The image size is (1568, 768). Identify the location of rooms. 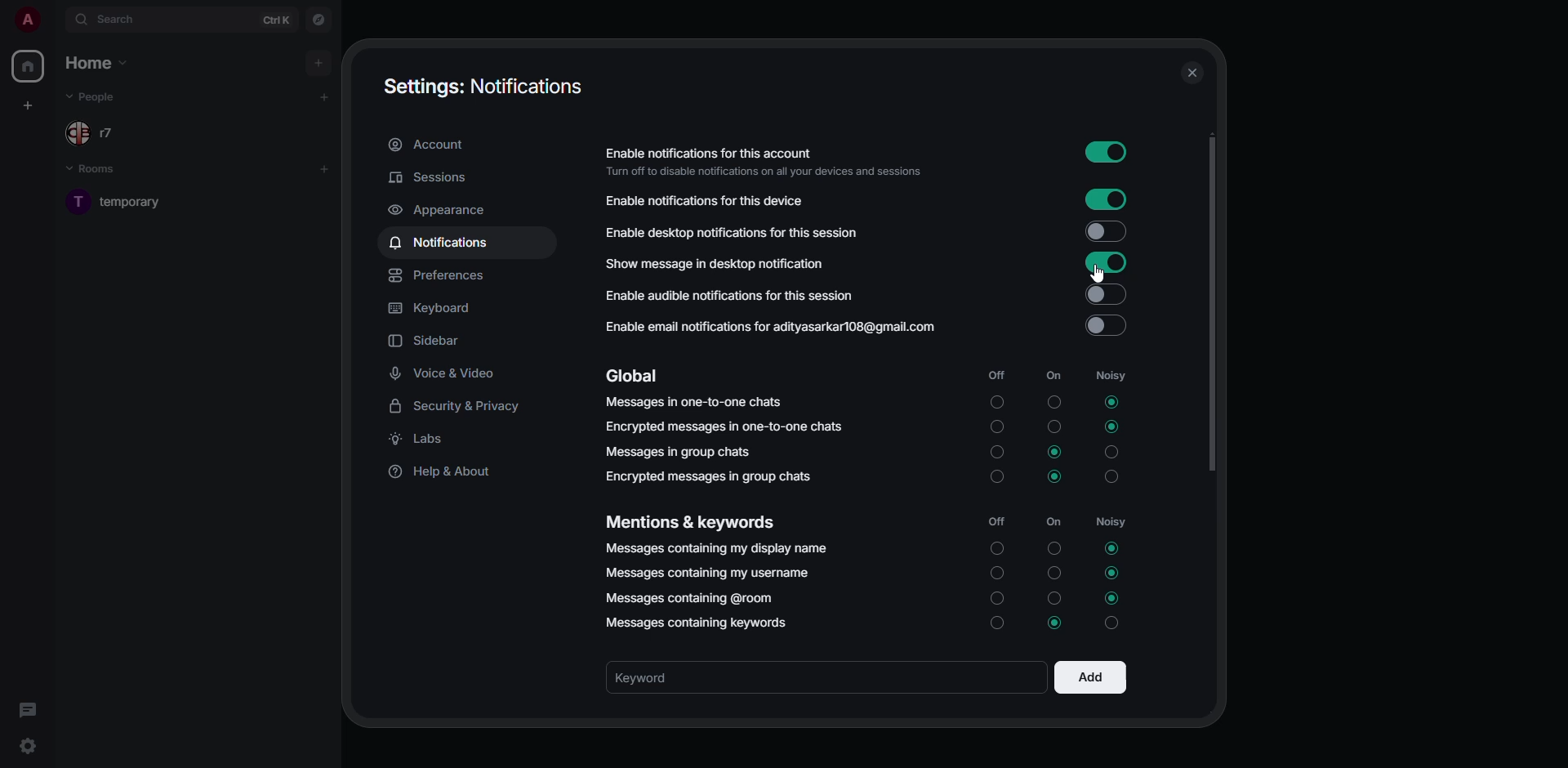
(101, 170).